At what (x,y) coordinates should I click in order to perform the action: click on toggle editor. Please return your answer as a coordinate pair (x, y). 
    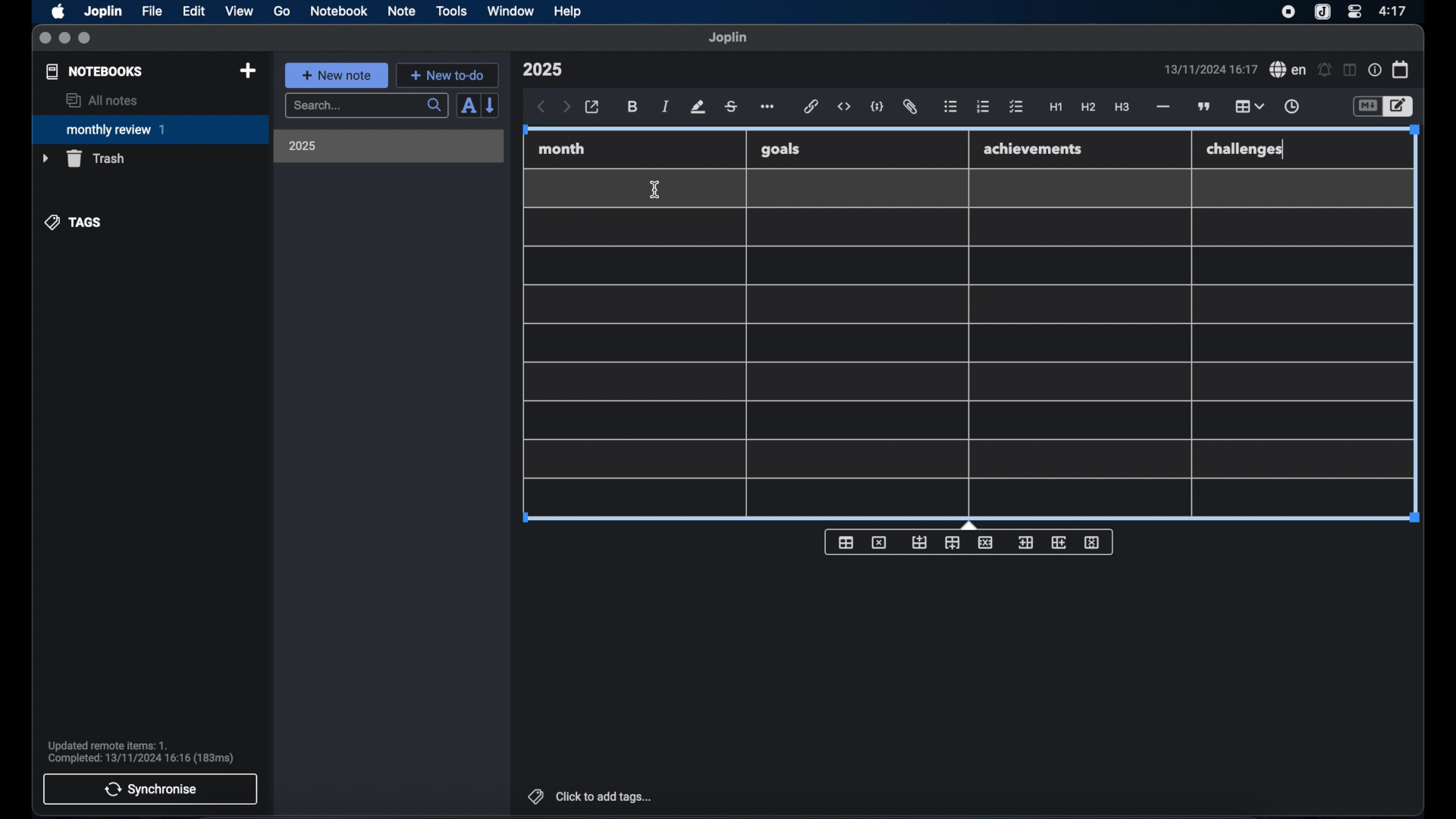
    Looking at the image, I should click on (1367, 107).